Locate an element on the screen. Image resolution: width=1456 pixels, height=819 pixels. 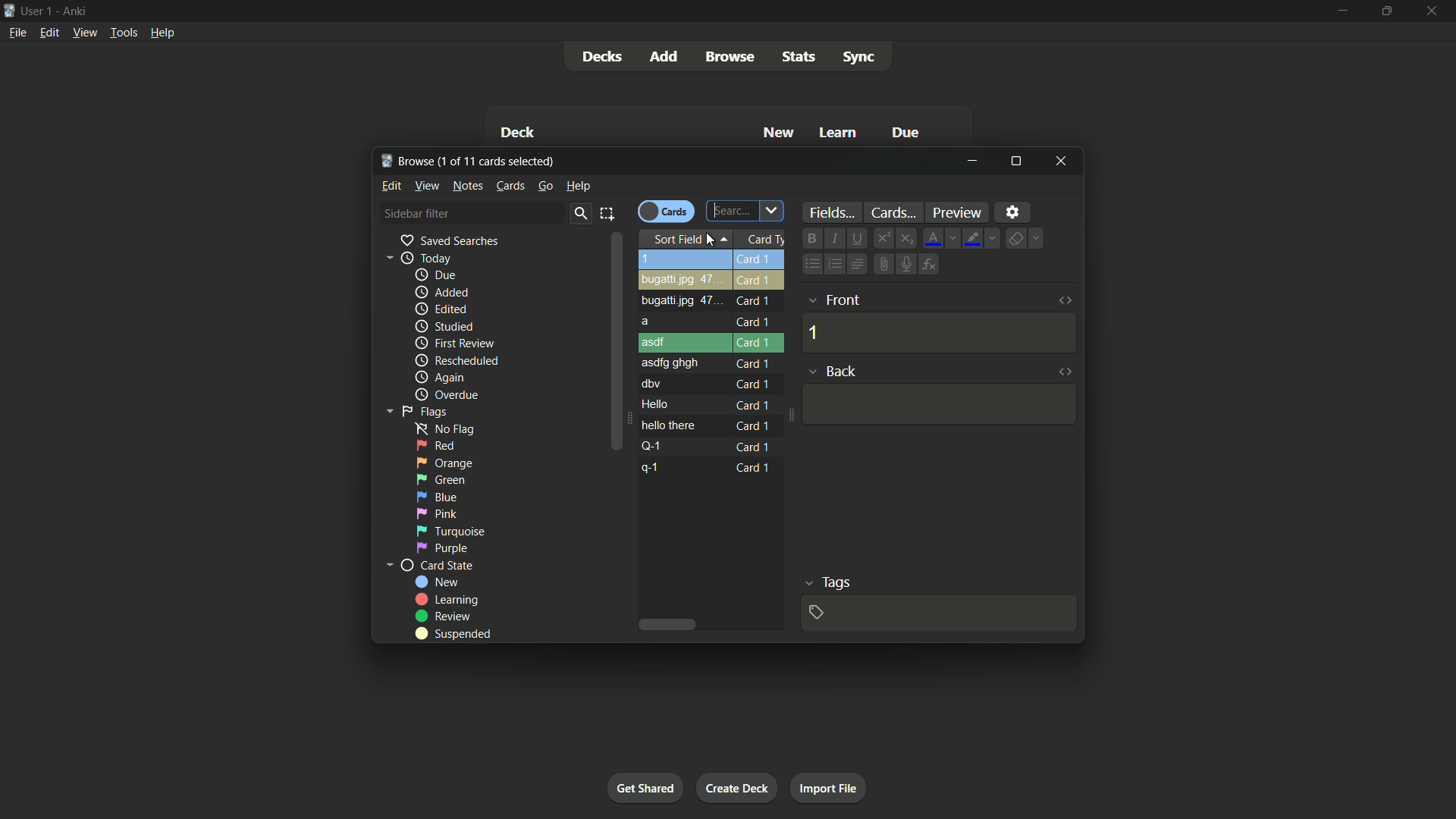
dbv is located at coordinates (654, 383).